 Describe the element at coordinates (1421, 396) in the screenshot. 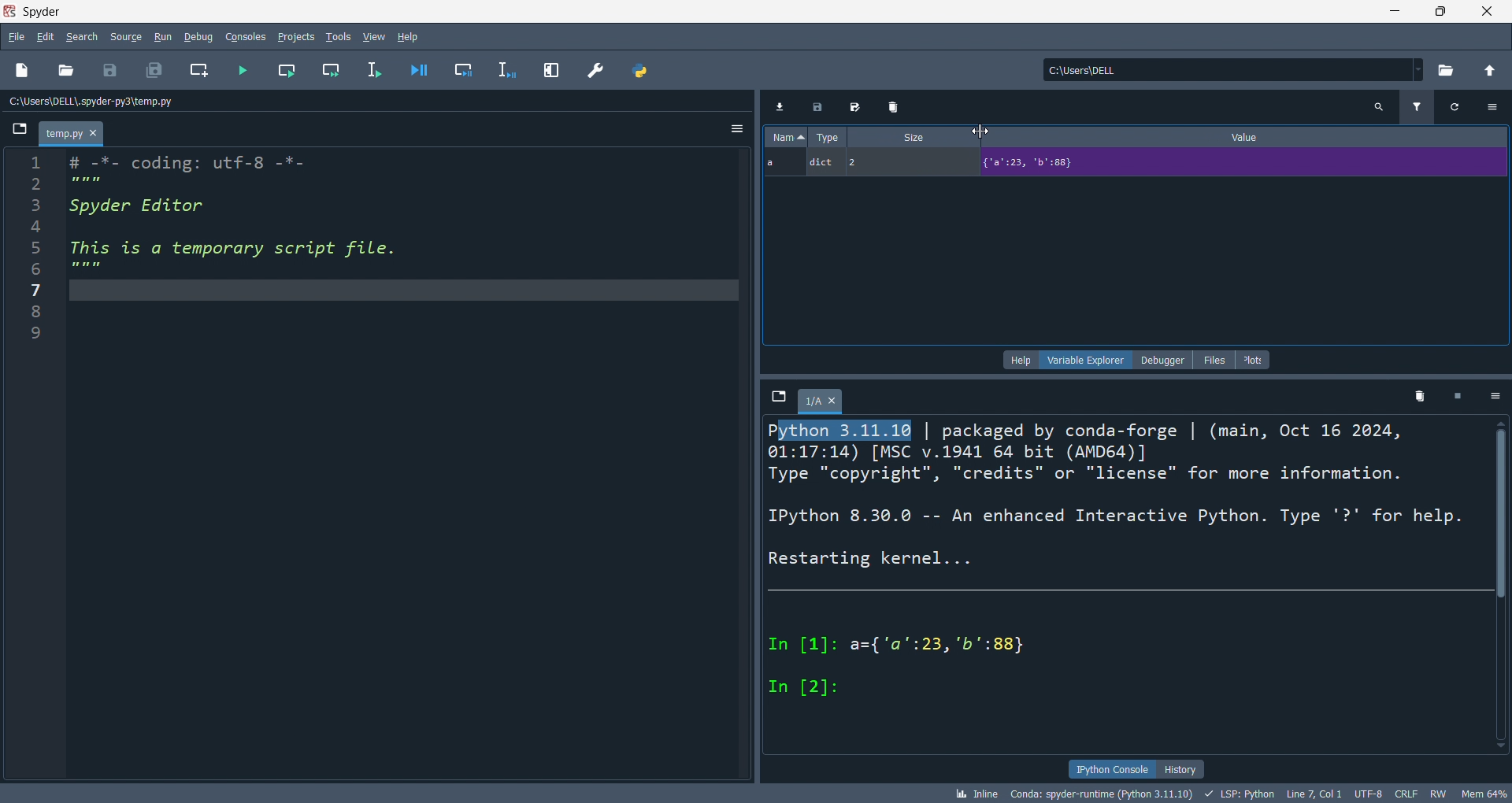

I see `delete` at that location.